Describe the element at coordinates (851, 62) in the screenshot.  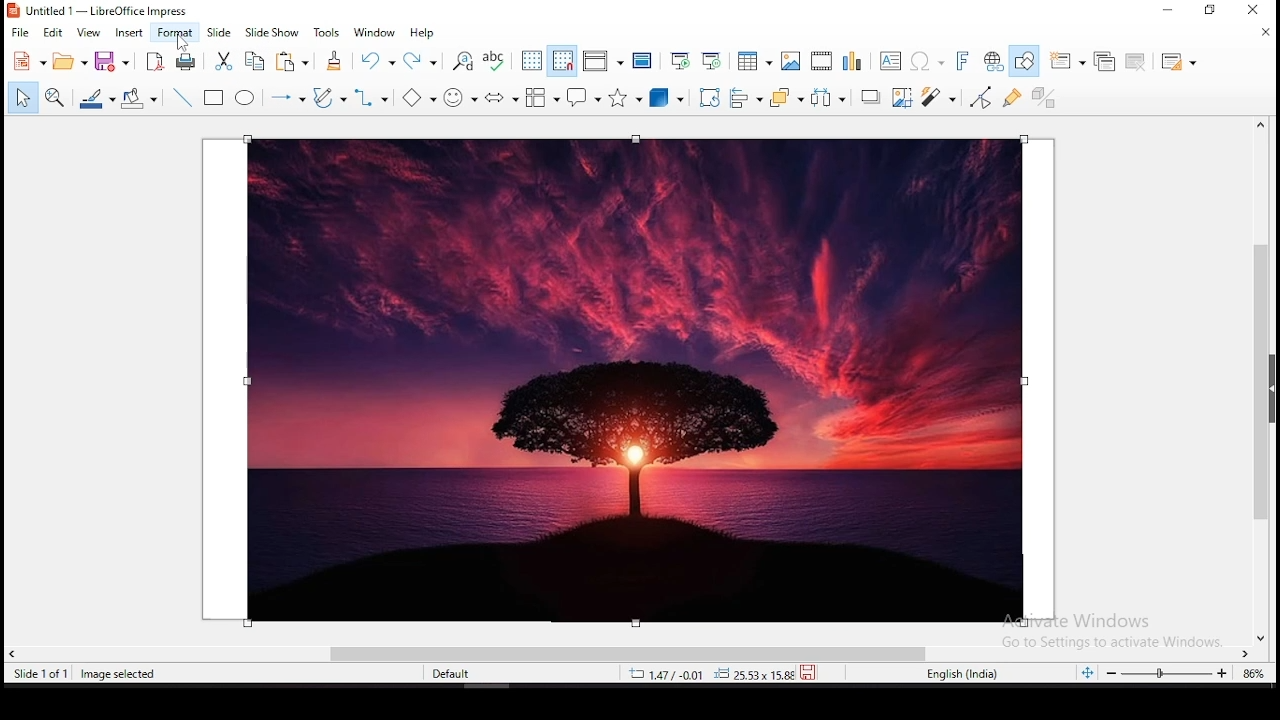
I see `insert chart` at that location.